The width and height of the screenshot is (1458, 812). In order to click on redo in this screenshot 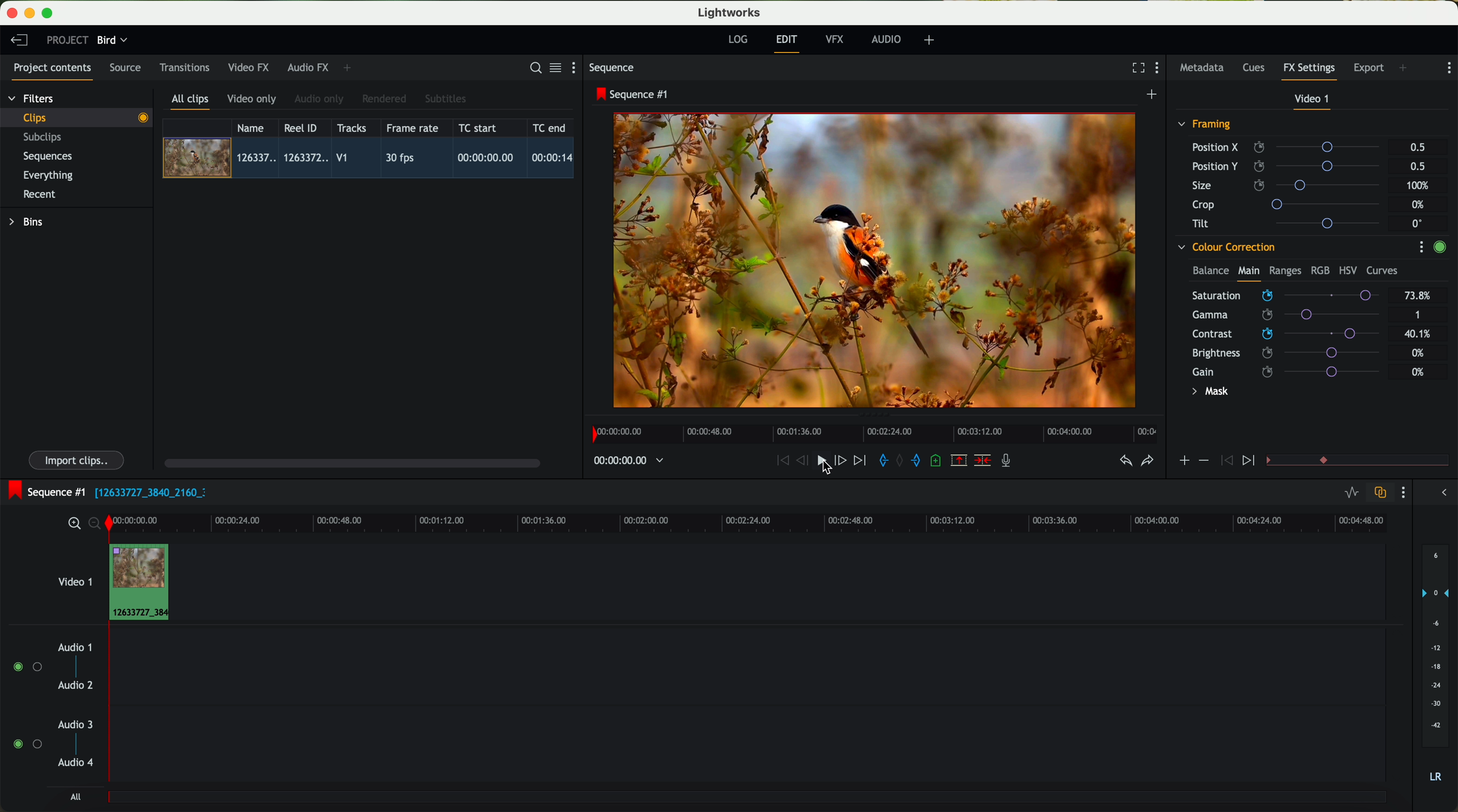, I will do `click(1147, 462)`.